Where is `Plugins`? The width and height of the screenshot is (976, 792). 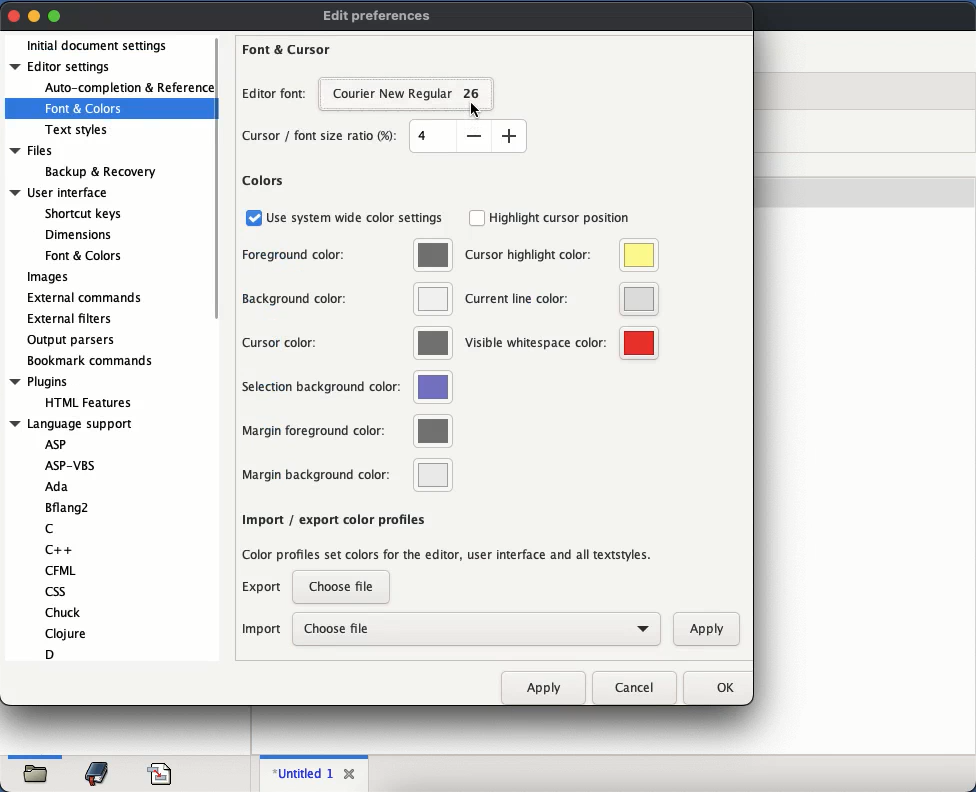 Plugins is located at coordinates (39, 380).